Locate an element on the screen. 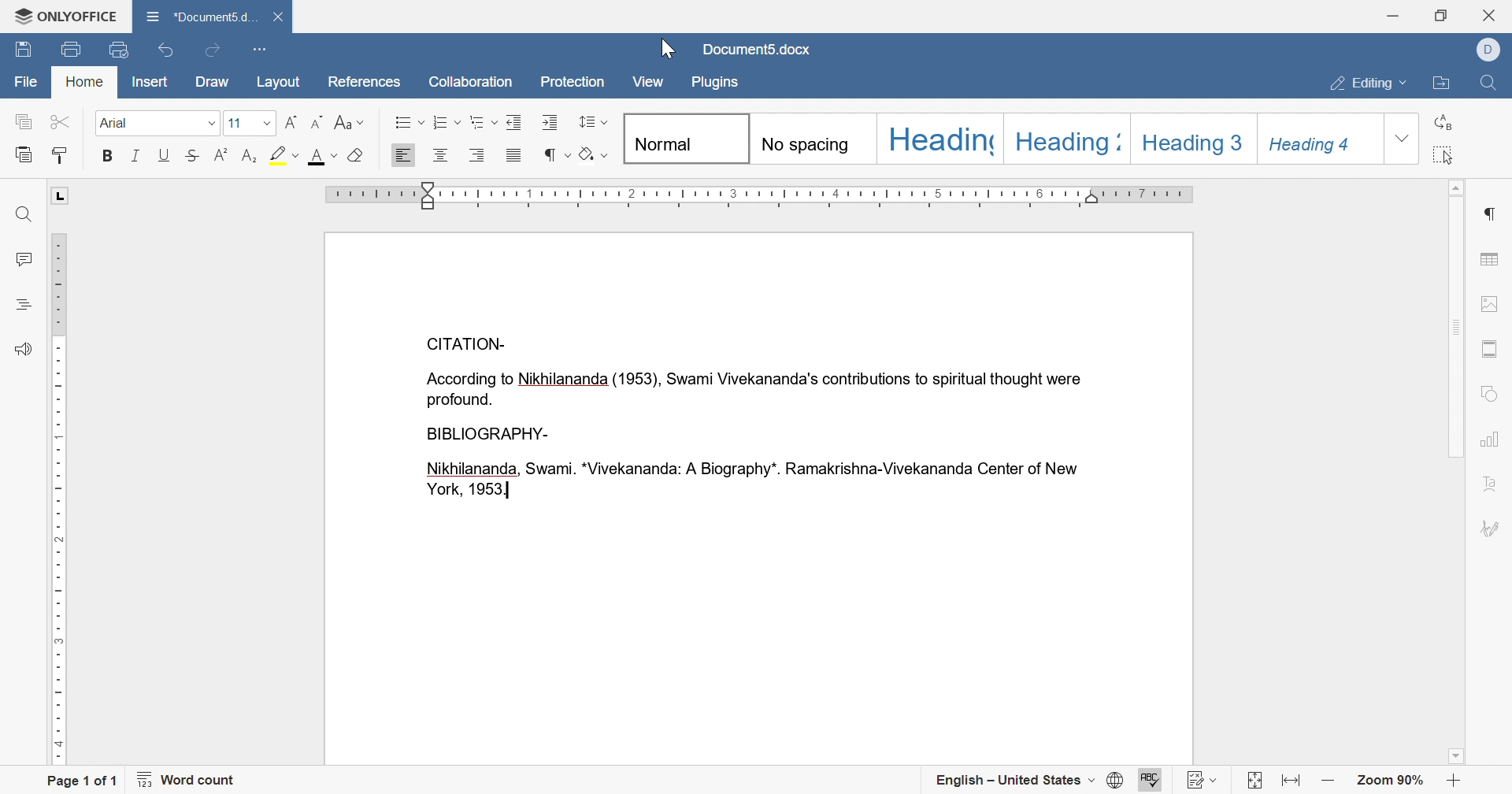 The width and height of the screenshot is (1512, 794). Heading 4 is located at coordinates (1320, 141).